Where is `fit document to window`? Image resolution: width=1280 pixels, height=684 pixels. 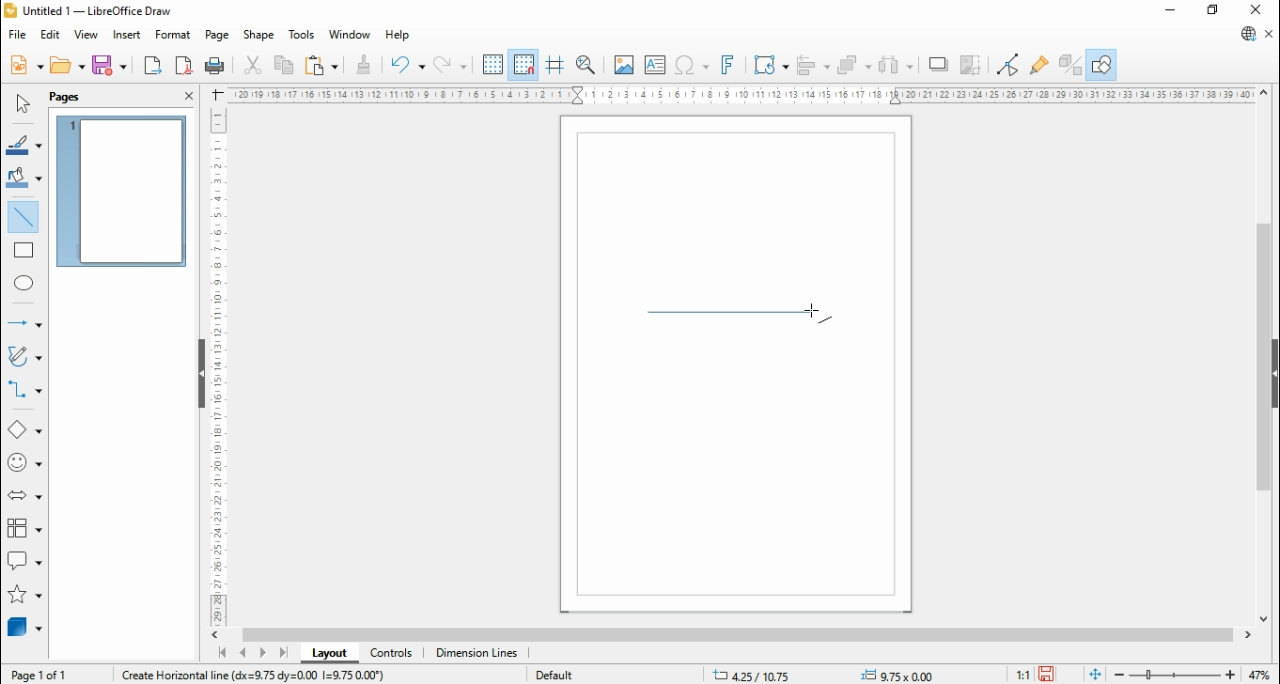
fit document to window is located at coordinates (1095, 675).